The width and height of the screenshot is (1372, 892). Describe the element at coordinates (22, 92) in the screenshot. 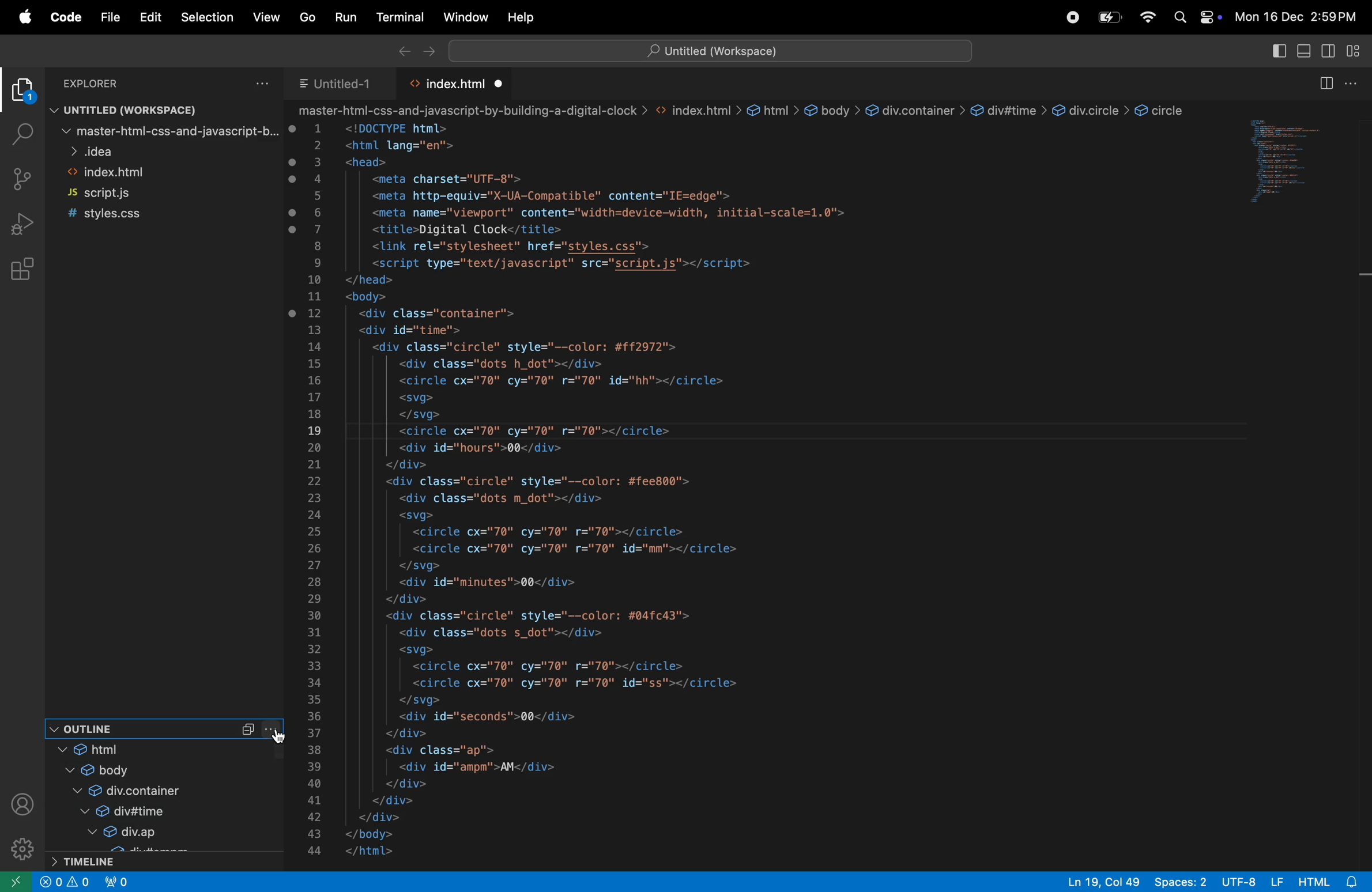

I see `explorer` at that location.